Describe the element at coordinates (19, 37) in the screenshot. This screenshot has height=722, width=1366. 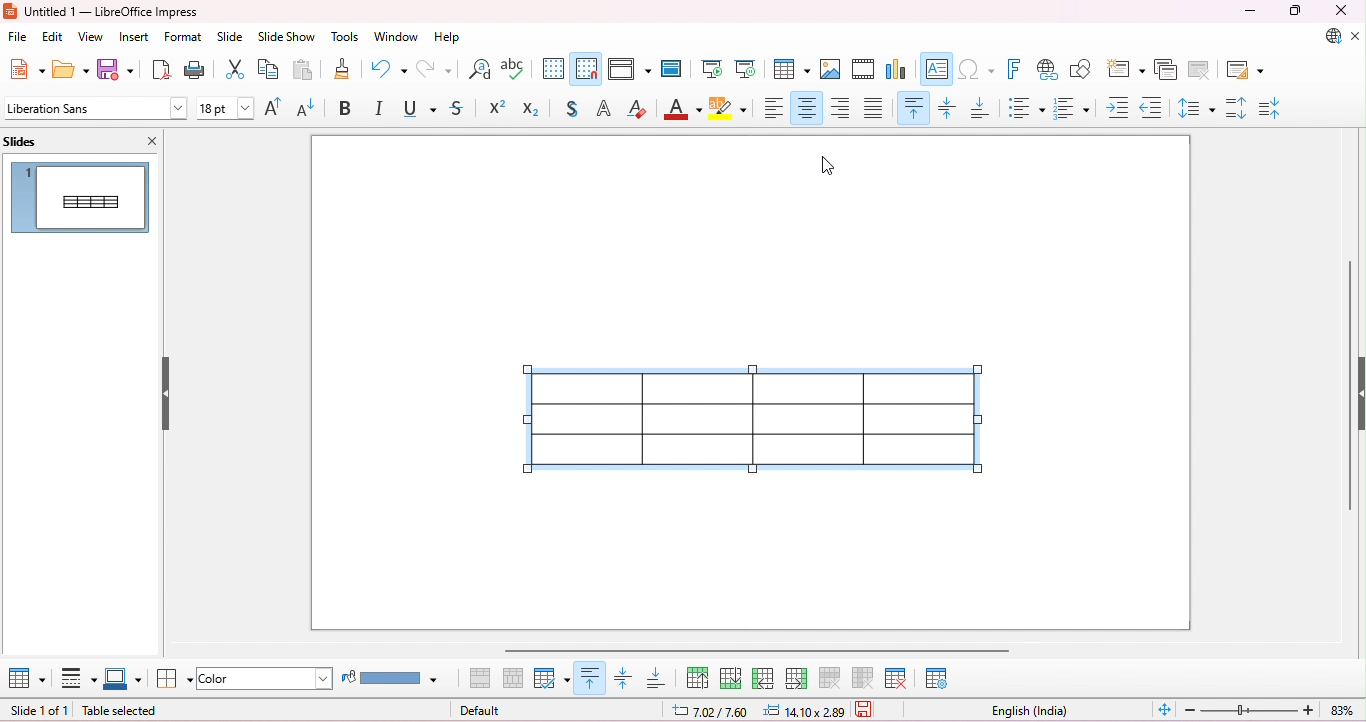
I see `file` at that location.